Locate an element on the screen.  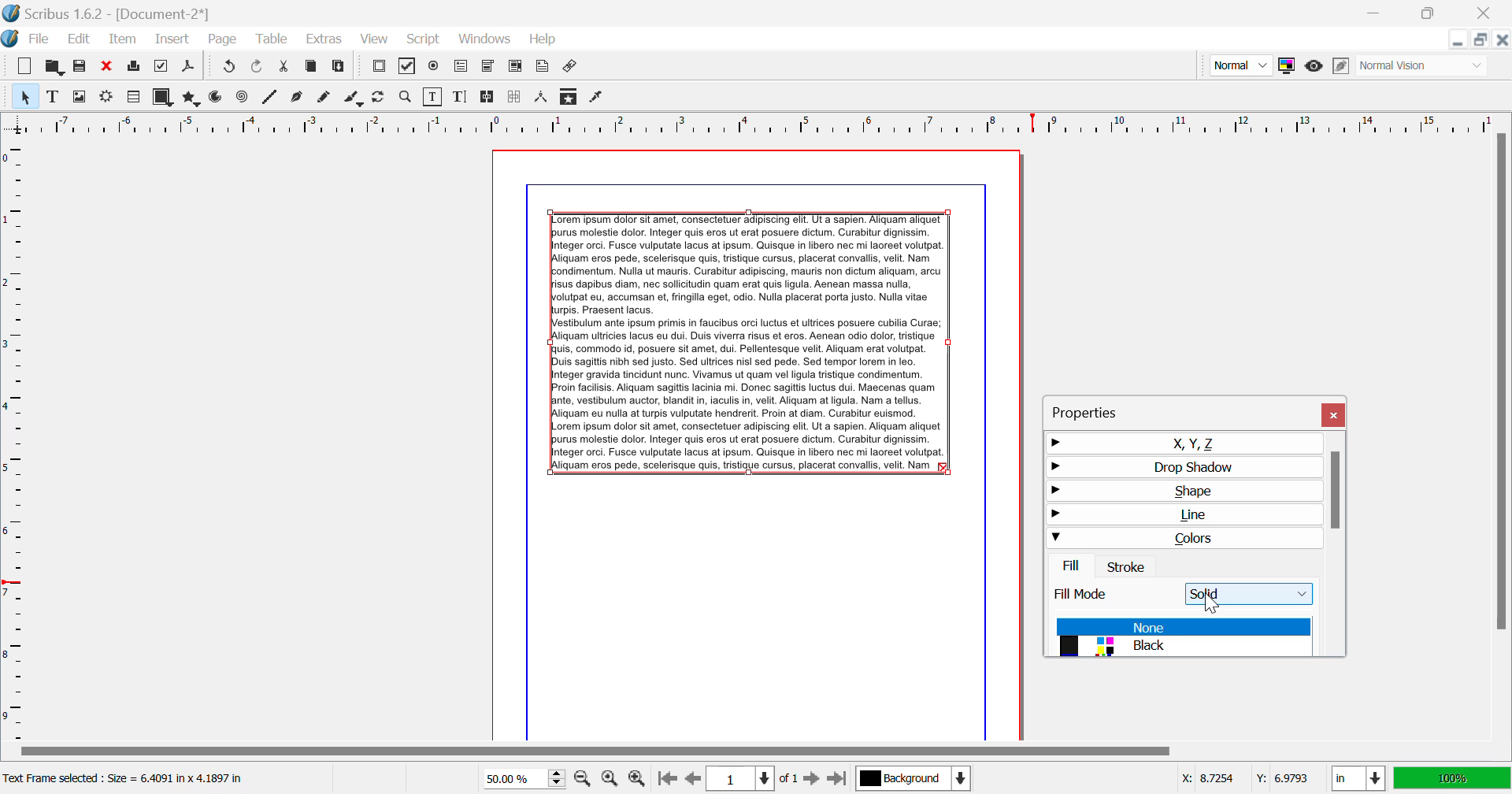
Next Page is located at coordinates (811, 777).